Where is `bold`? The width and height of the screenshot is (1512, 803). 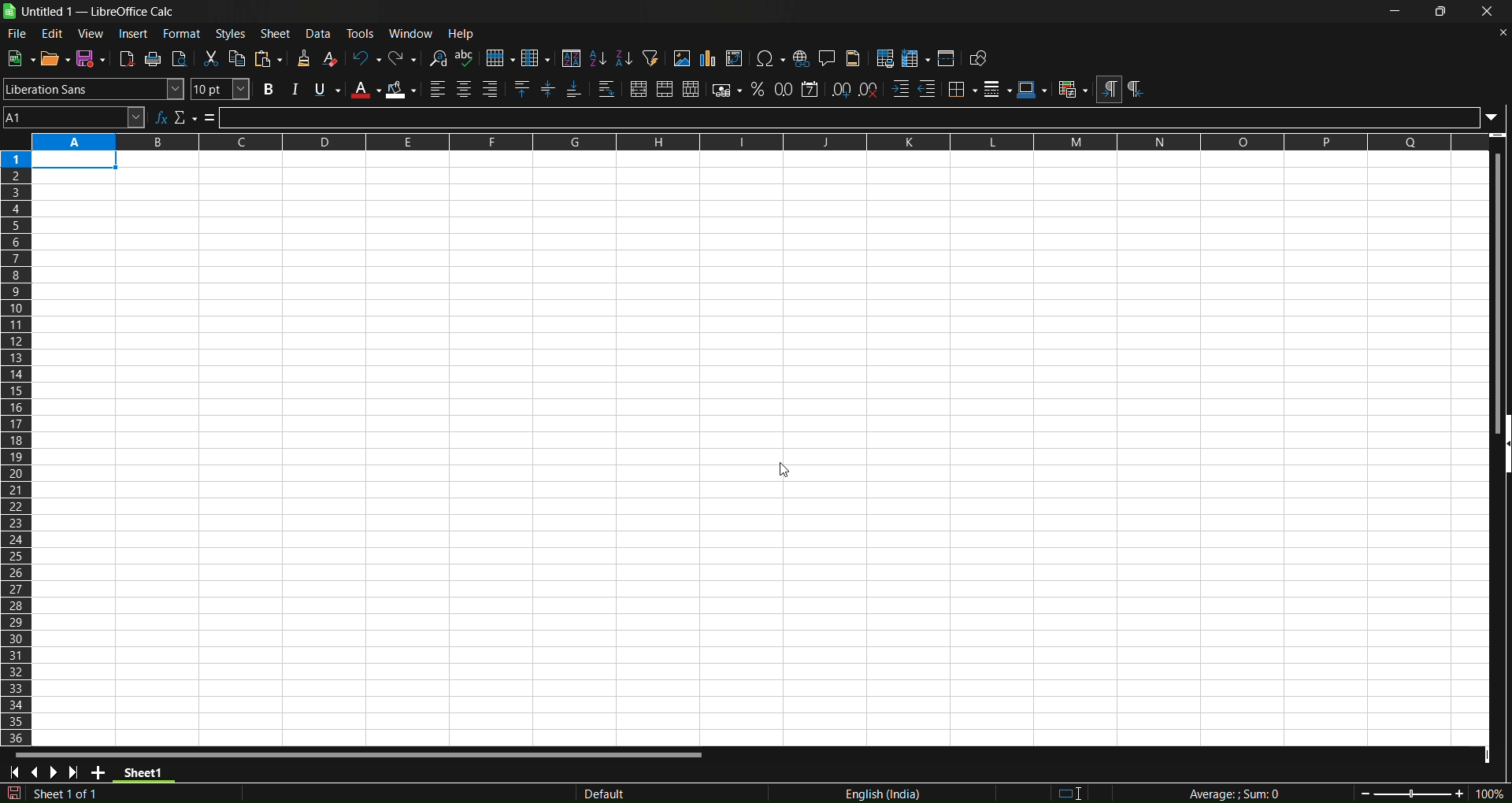 bold is located at coordinates (265, 90).